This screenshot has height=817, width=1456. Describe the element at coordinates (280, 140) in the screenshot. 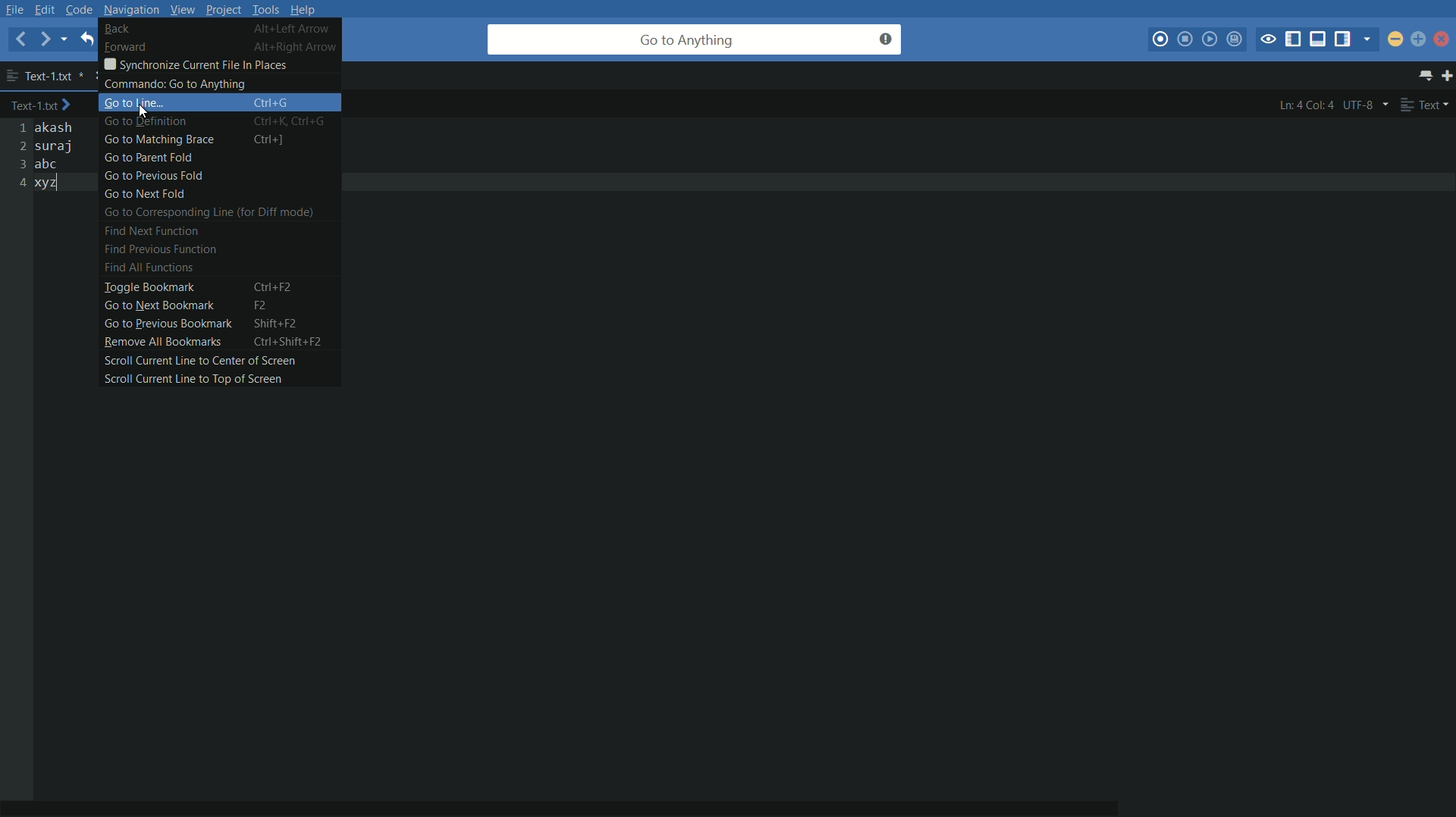

I see `Ctrl+]` at that location.